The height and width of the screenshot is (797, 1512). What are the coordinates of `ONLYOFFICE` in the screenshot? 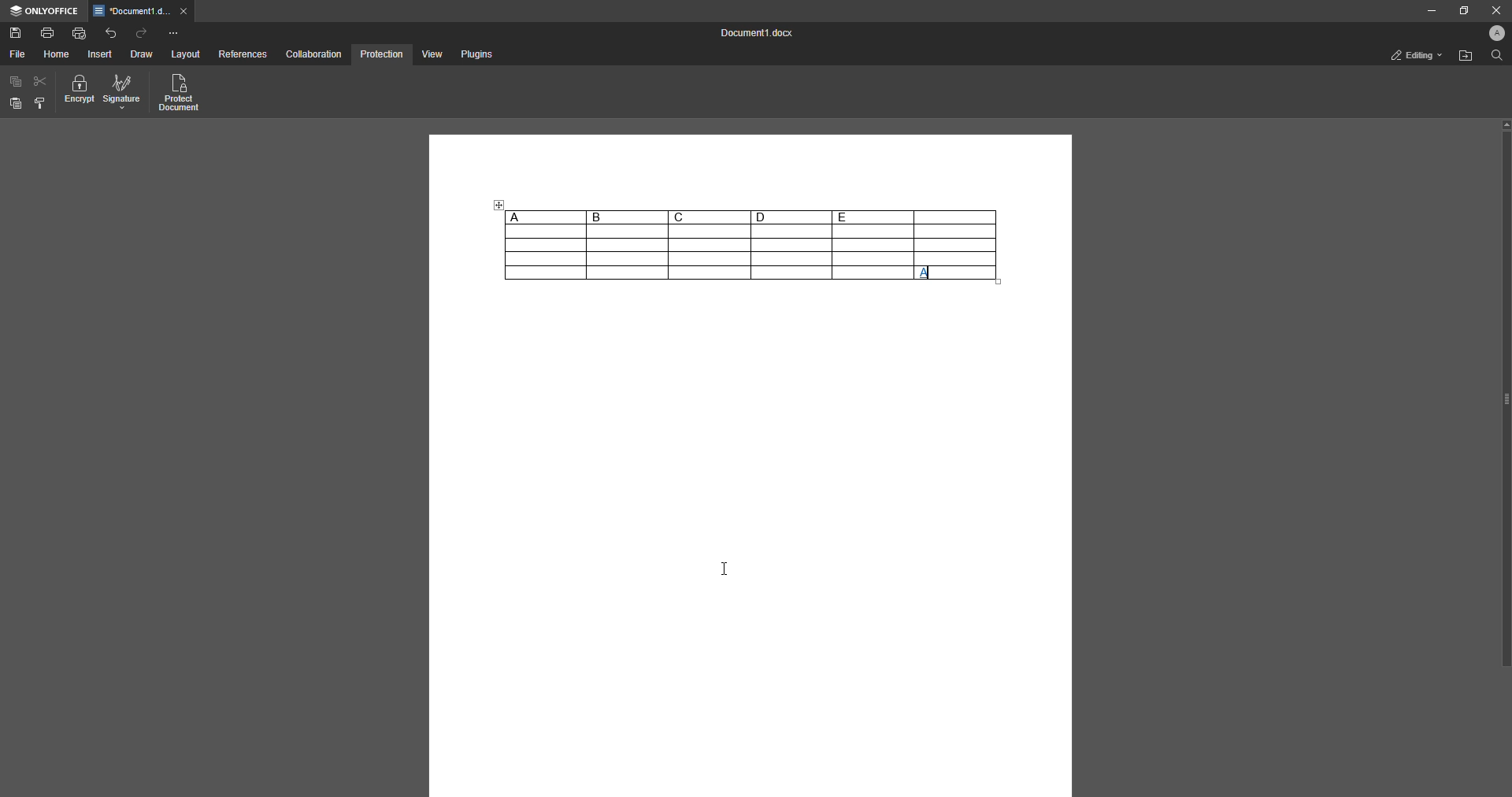 It's located at (44, 11).